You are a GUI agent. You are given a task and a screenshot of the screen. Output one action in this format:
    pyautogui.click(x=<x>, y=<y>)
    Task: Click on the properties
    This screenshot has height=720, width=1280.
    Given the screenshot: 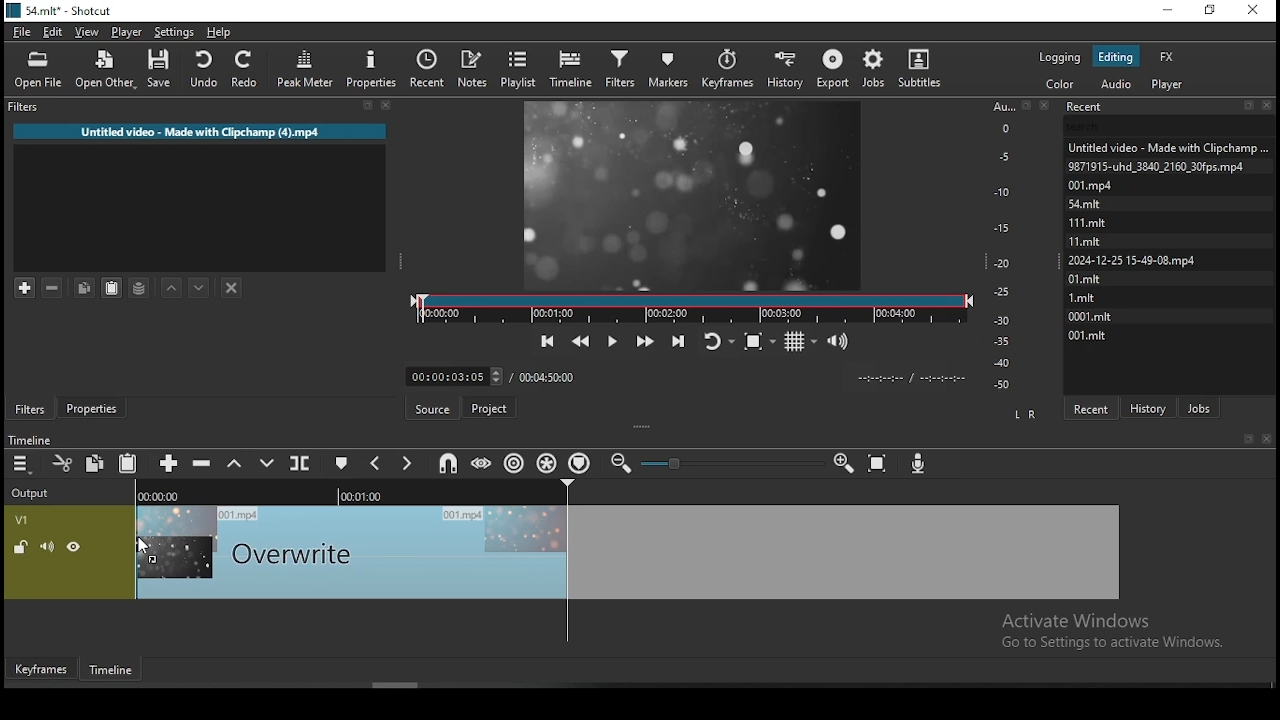 What is the action you would take?
    pyautogui.click(x=375, y=71)
    